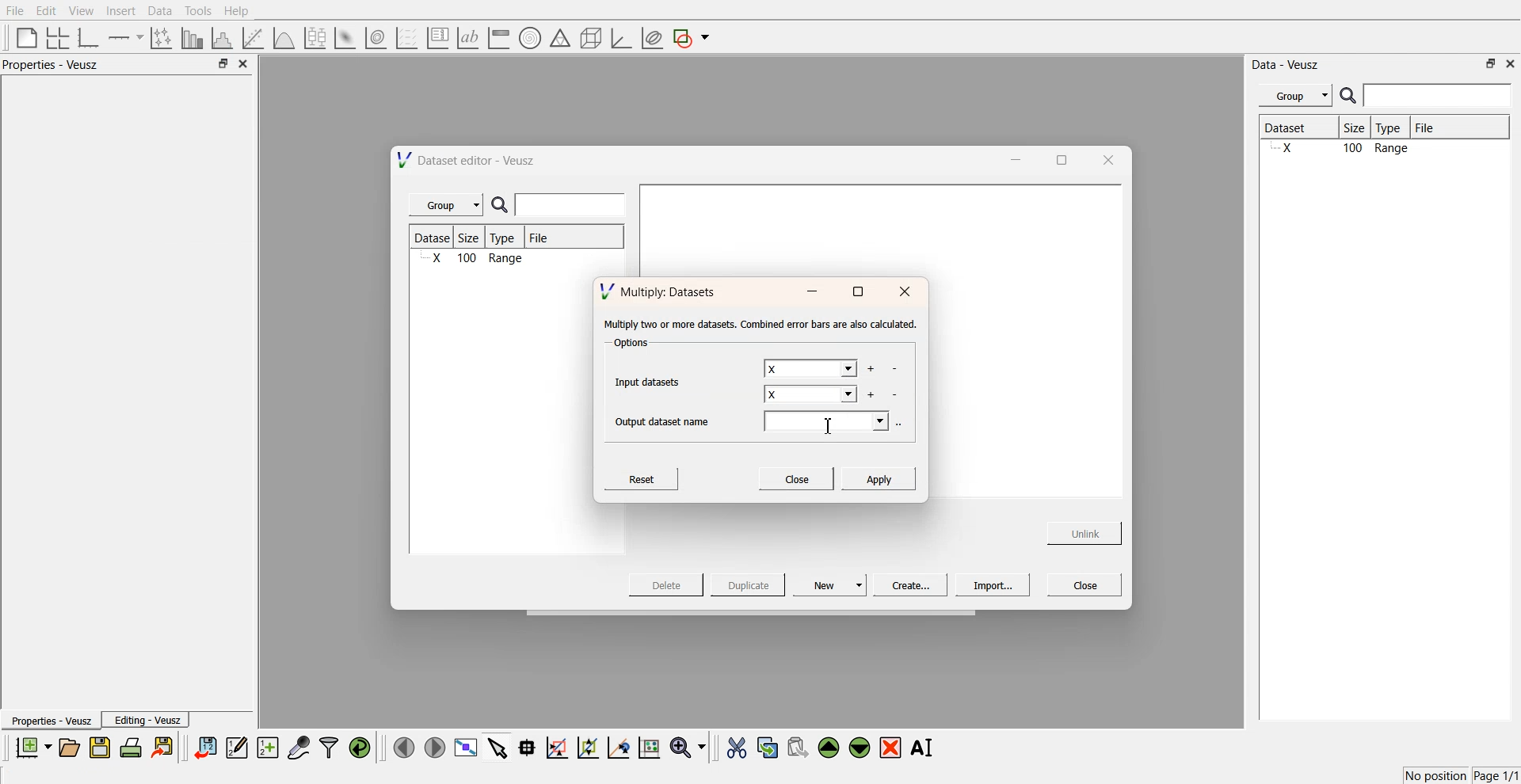  Describe the element at coordinates (529, 40) in the screenshot. I see `polar graph` at that location.